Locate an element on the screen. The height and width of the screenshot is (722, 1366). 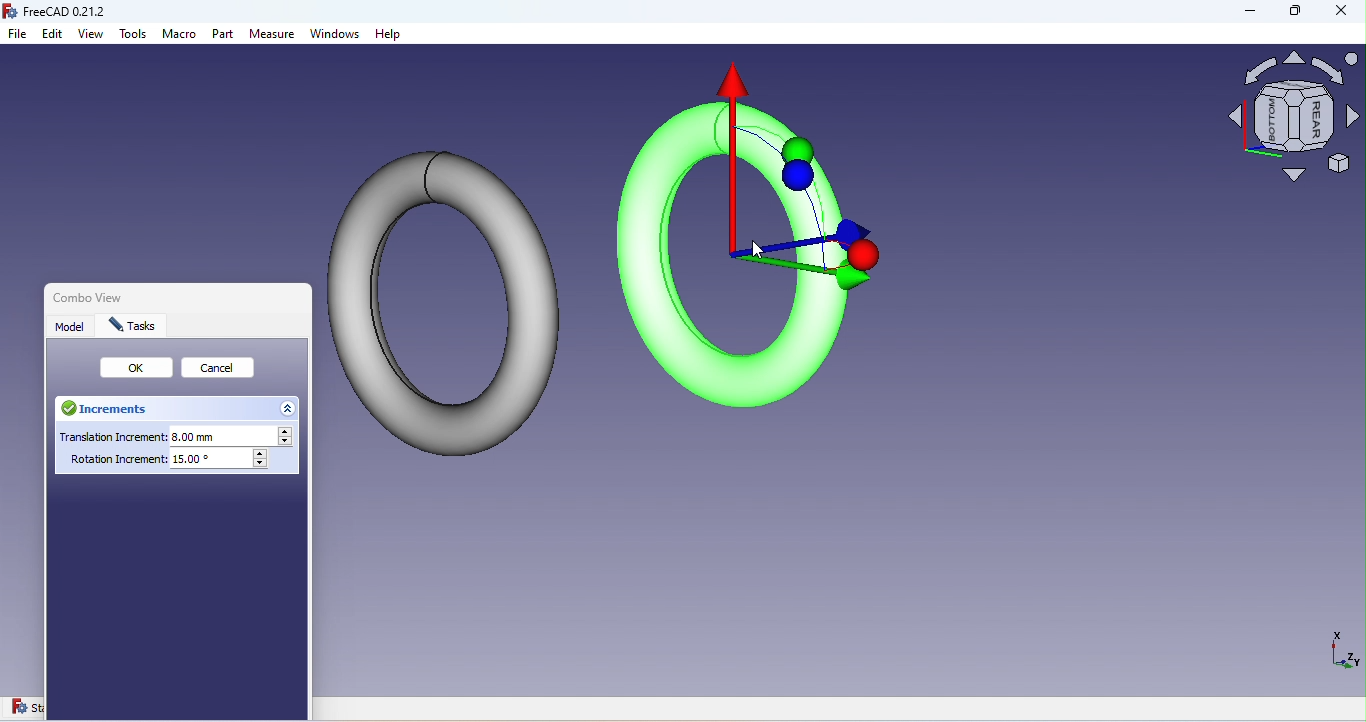
File is located at coordinates (19, 35).